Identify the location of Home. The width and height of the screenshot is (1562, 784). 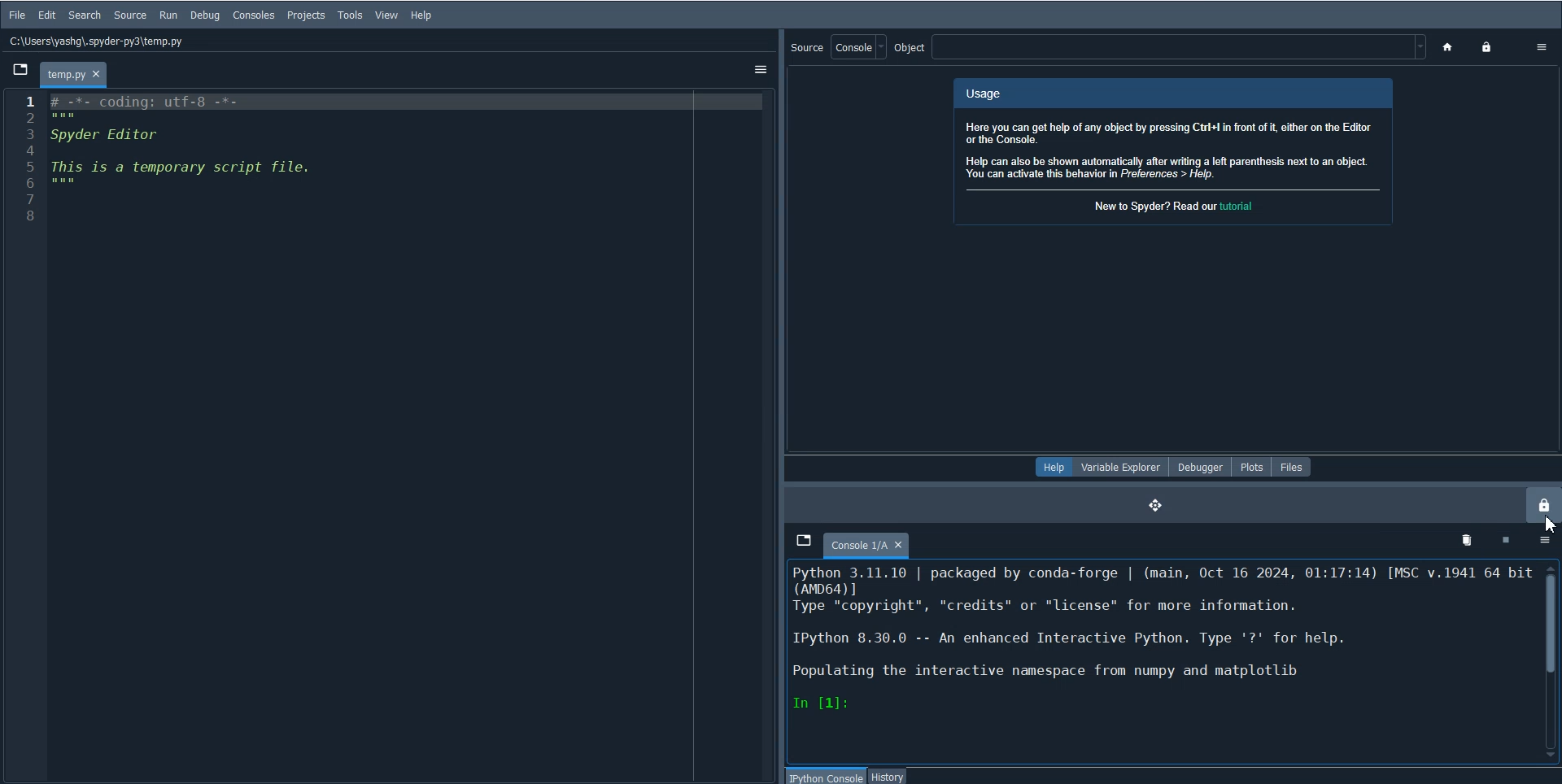
(1450, 48).